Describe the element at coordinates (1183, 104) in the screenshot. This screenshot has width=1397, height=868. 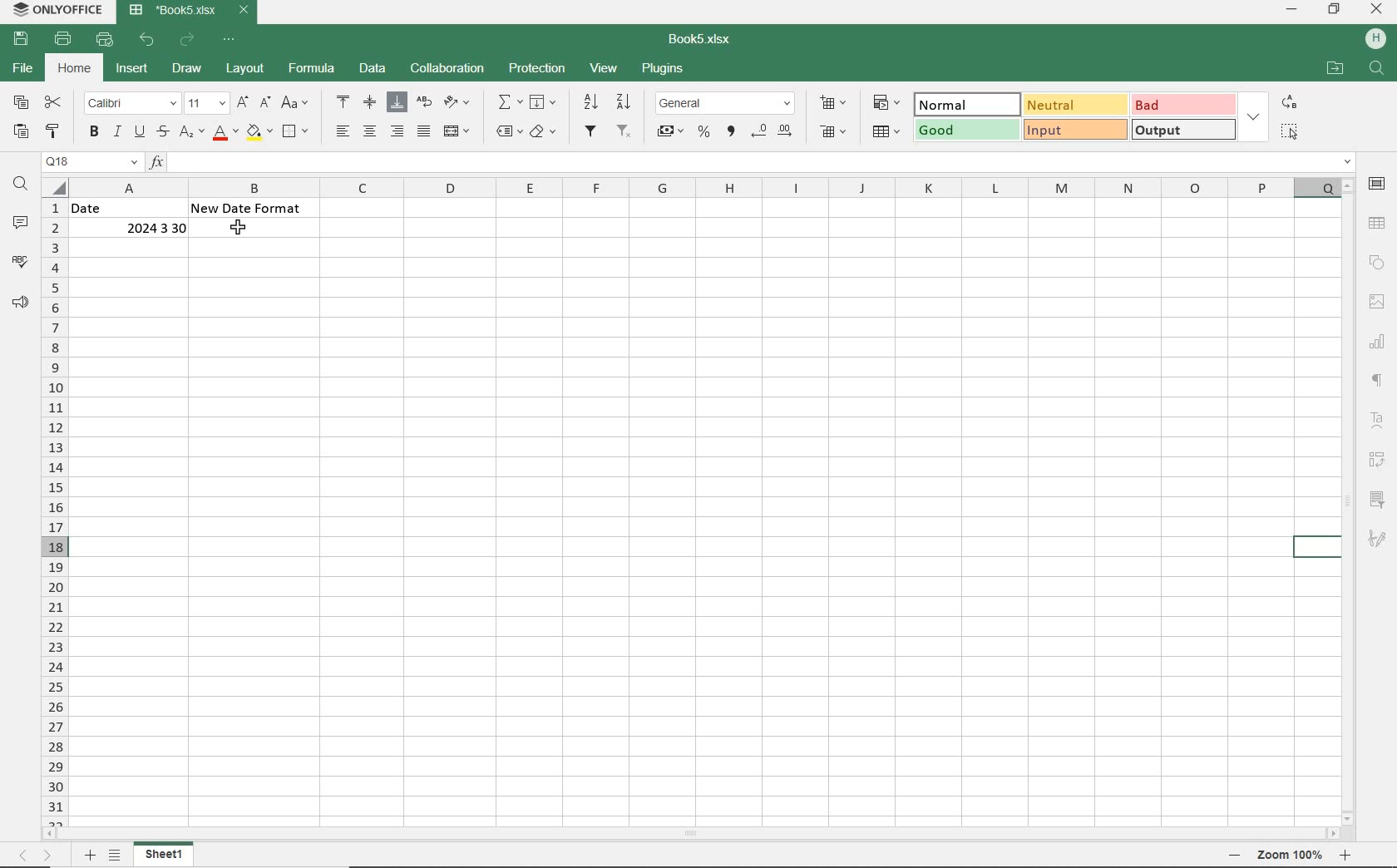
I see `BAD` at that location.